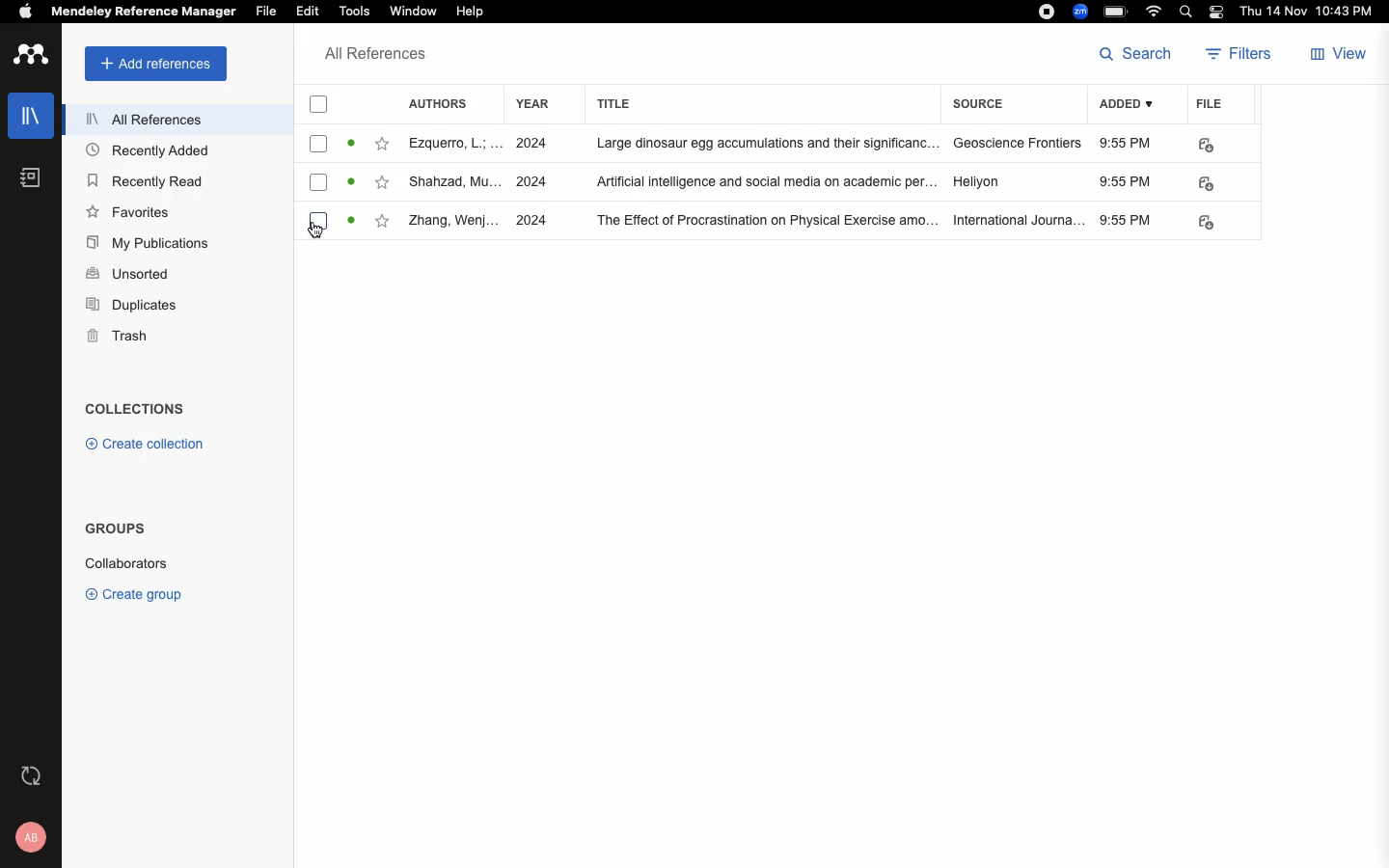  What do you see at coordinates (125, 563) in the screenshot?
I see `Collaborators` at bounding box center [125, 563].